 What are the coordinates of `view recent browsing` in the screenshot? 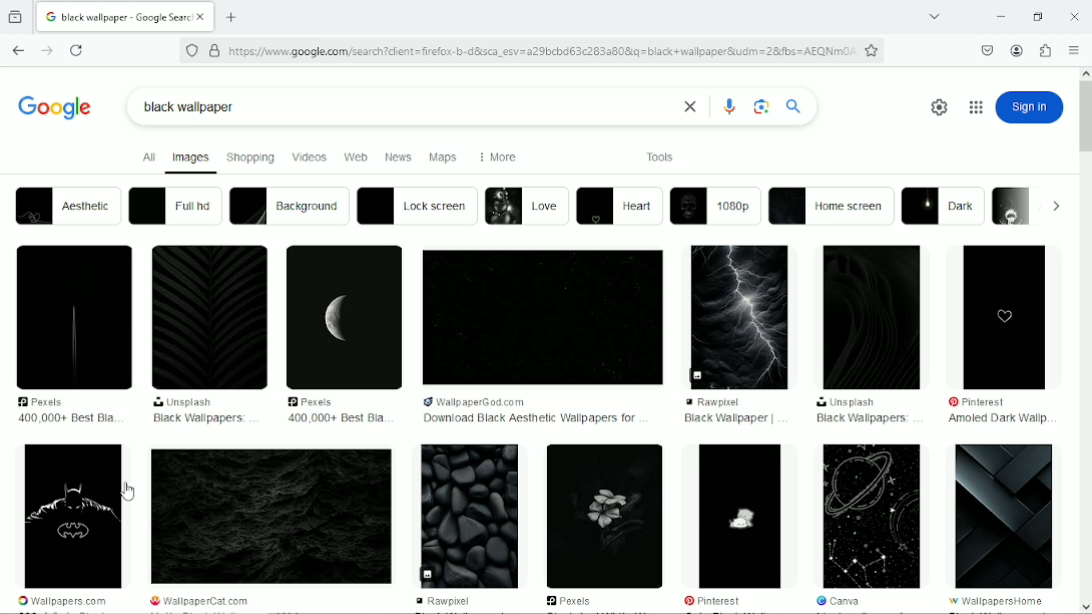 It's located at (16, 16).